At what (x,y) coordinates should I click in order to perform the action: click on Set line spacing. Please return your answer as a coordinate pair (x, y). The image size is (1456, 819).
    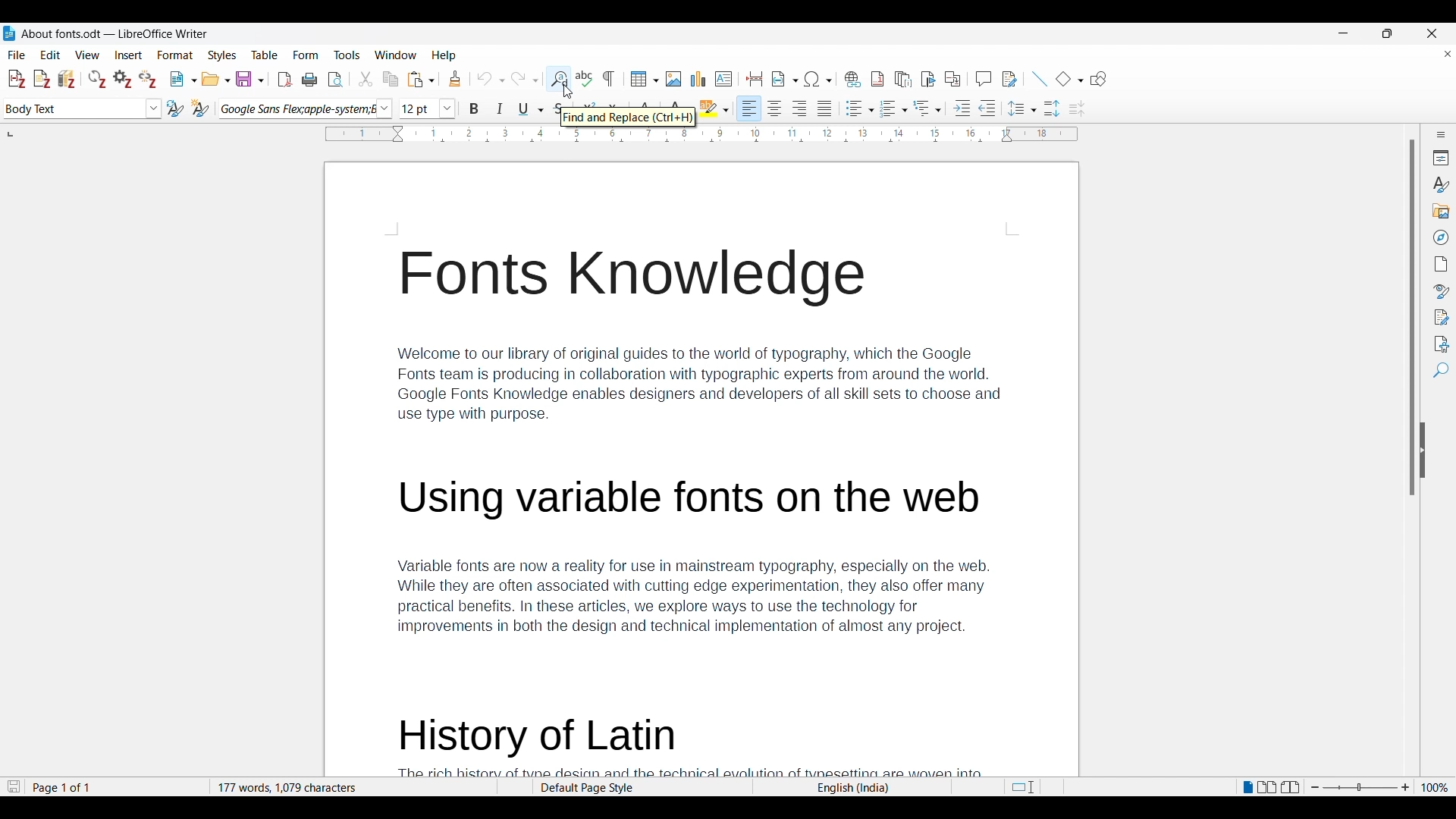
    Looking at the image, I should click on (1022, 108).